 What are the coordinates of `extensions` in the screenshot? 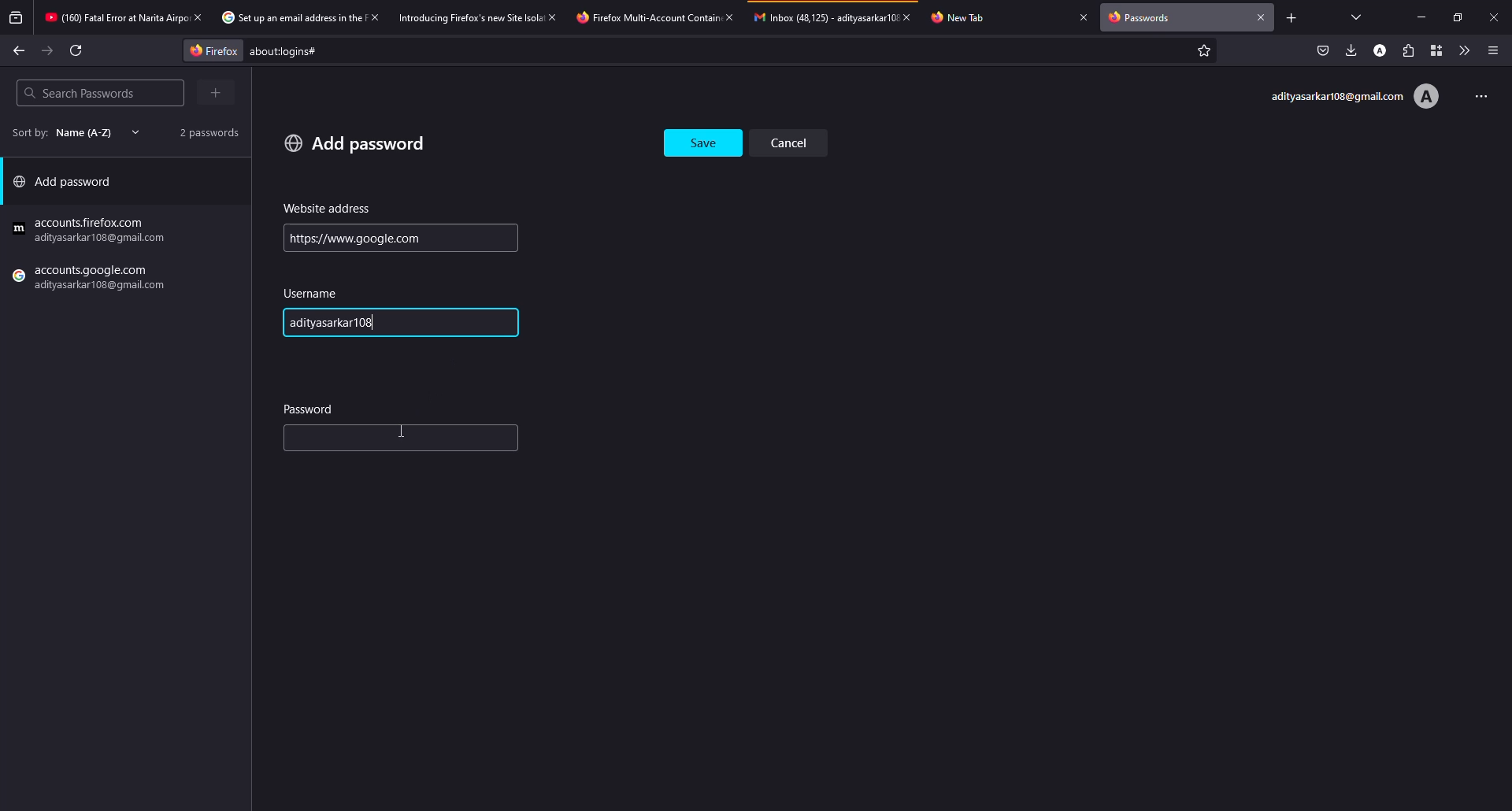 It's located at (1407, 50).